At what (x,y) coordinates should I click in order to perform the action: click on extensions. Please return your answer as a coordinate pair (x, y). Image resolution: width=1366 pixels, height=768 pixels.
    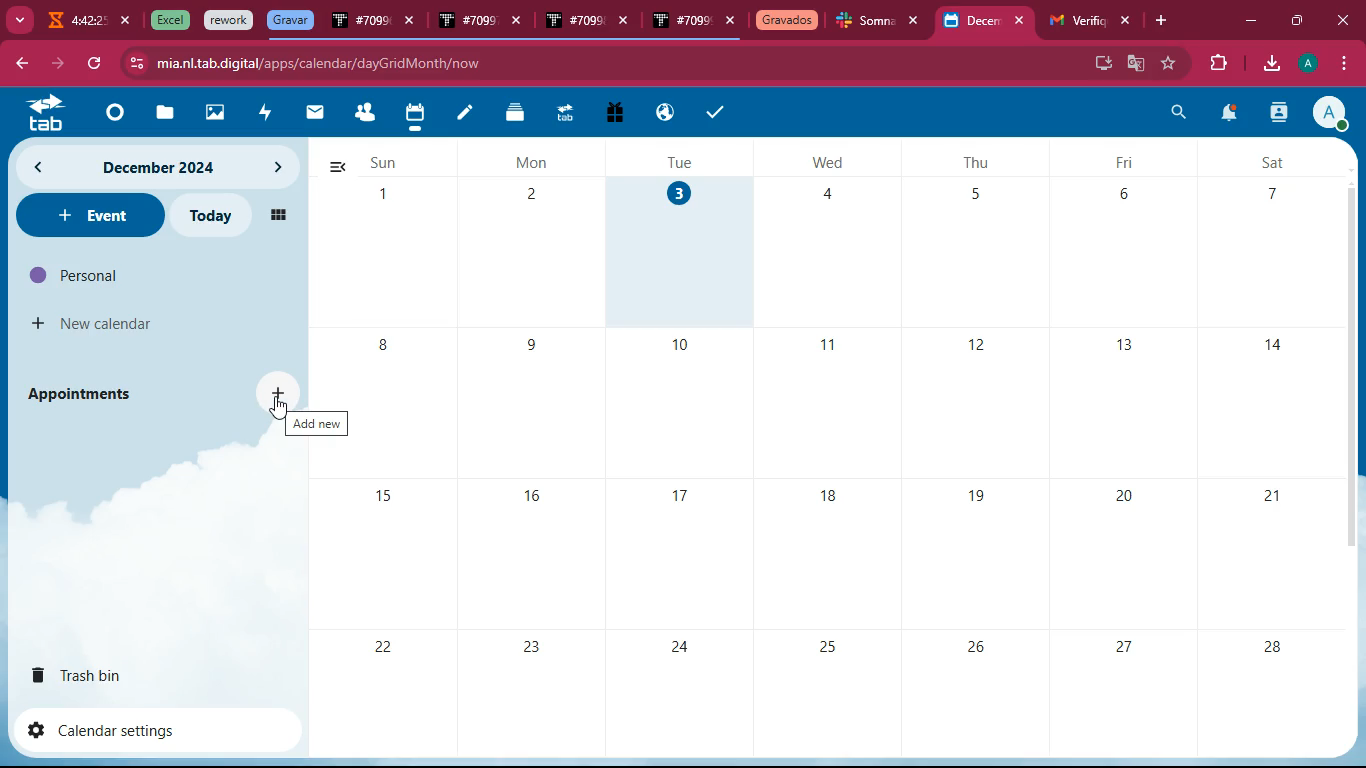
    Looking at the image, I should click on (1215, 64).